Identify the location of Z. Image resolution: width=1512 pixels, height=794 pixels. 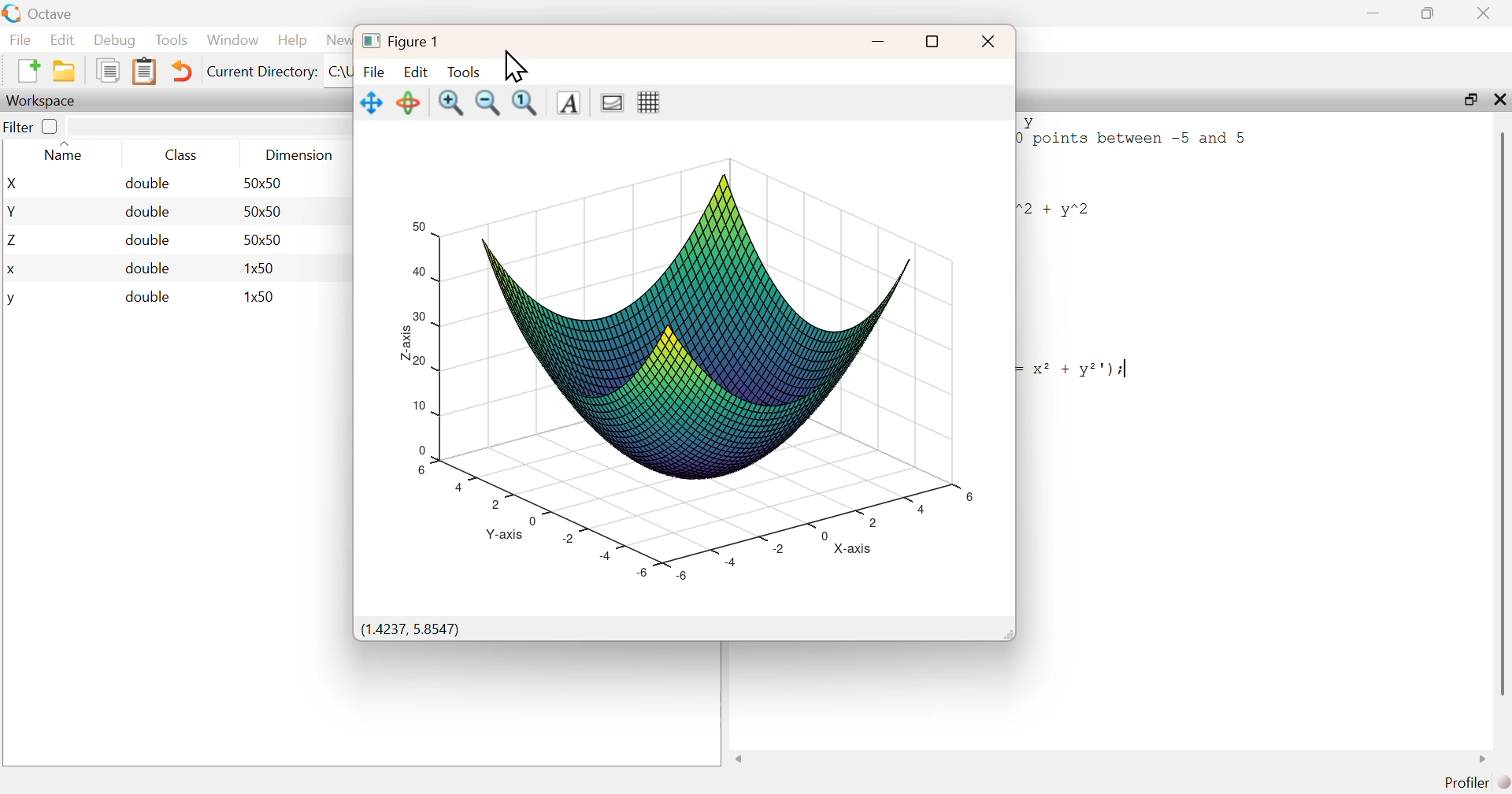
(14, 241).